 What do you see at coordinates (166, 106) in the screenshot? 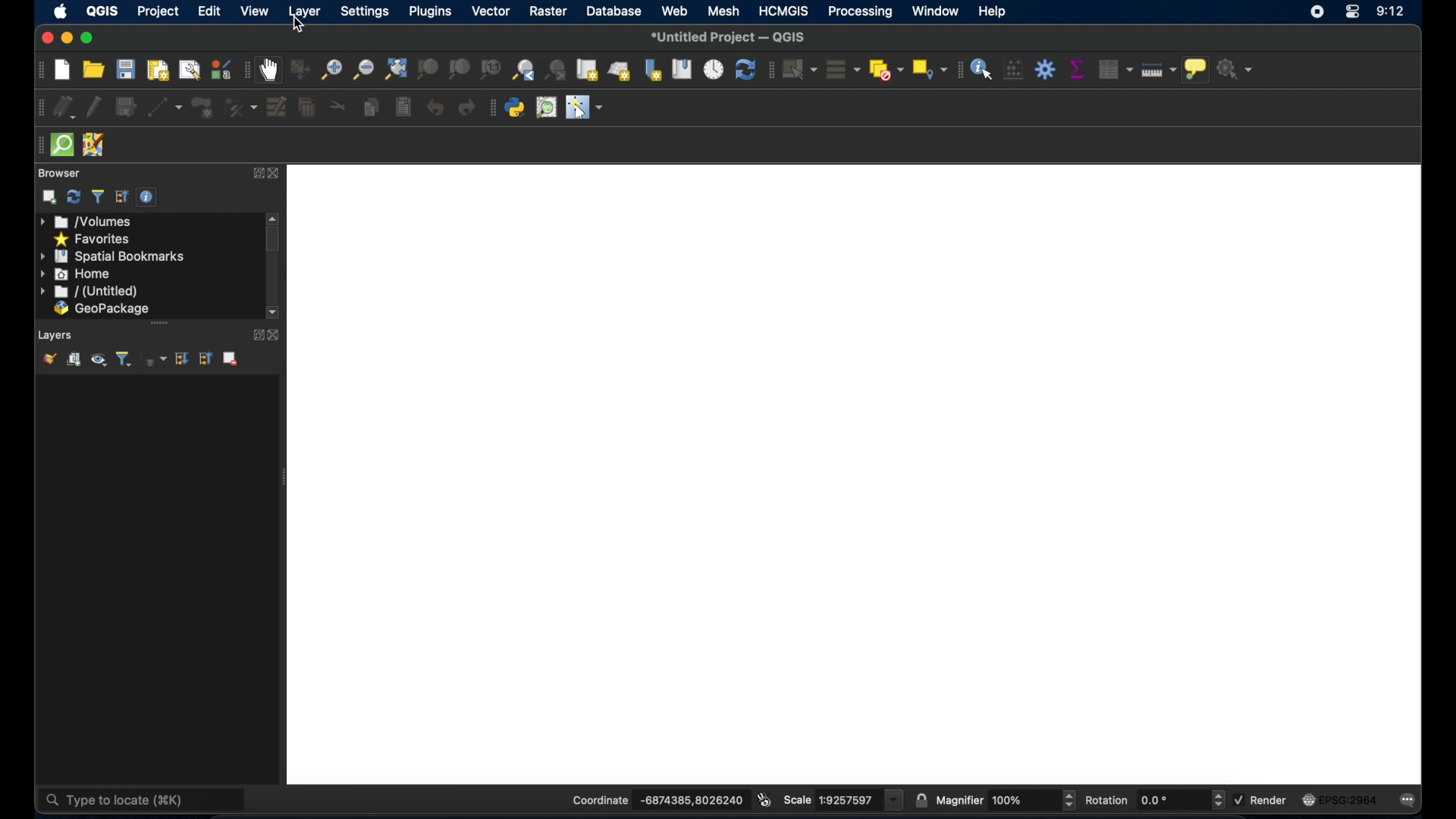
I see `digitize with segment` at bounding box center [166, 106].